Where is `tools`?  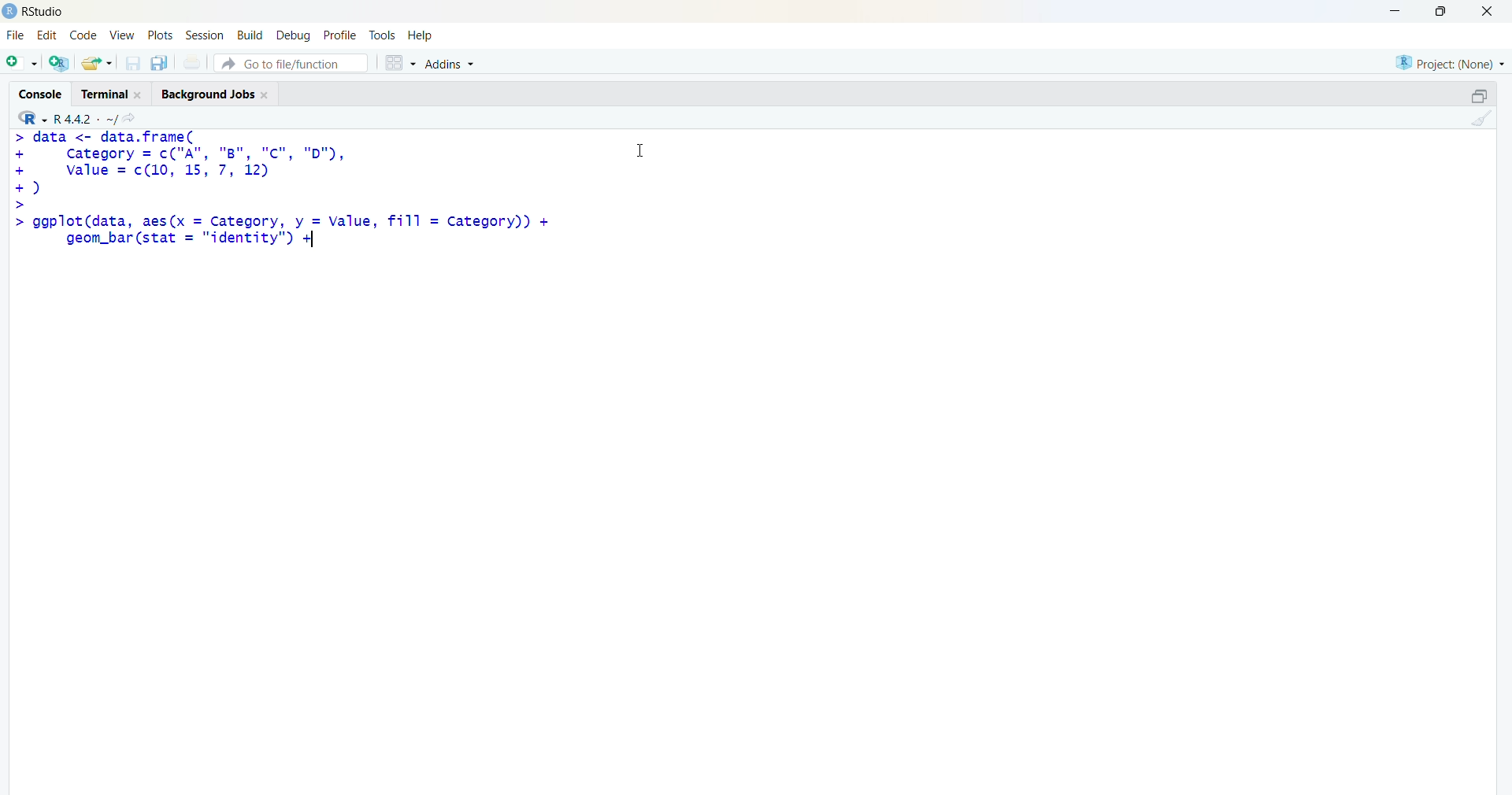
tools is located at coordinates (384, 35).